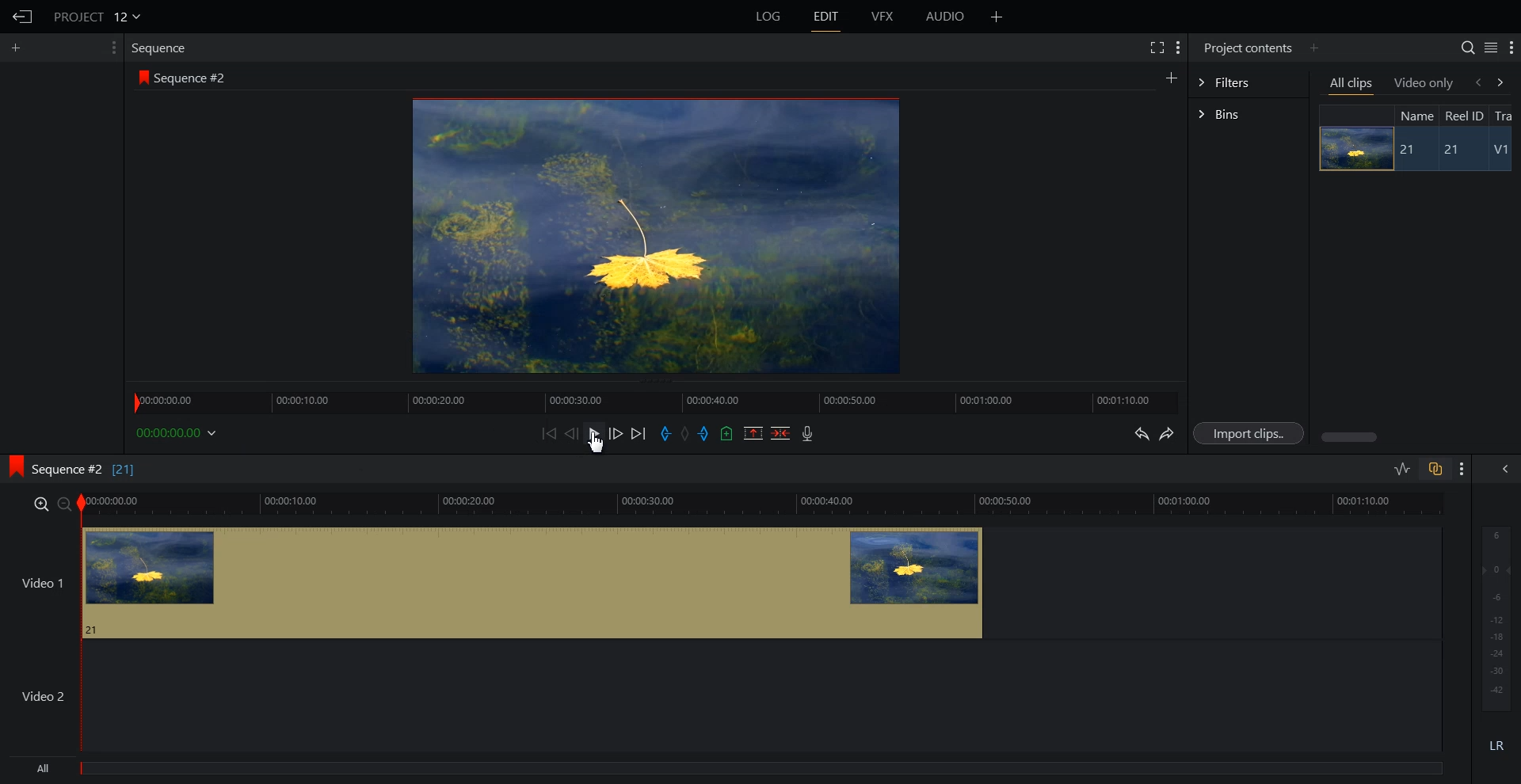 Image resolution: width=1521 pixels, height=784 pixels. Describe the element at coordinates (49, 503) in the screenshot. I see `zoom in/zoom out` at that location.